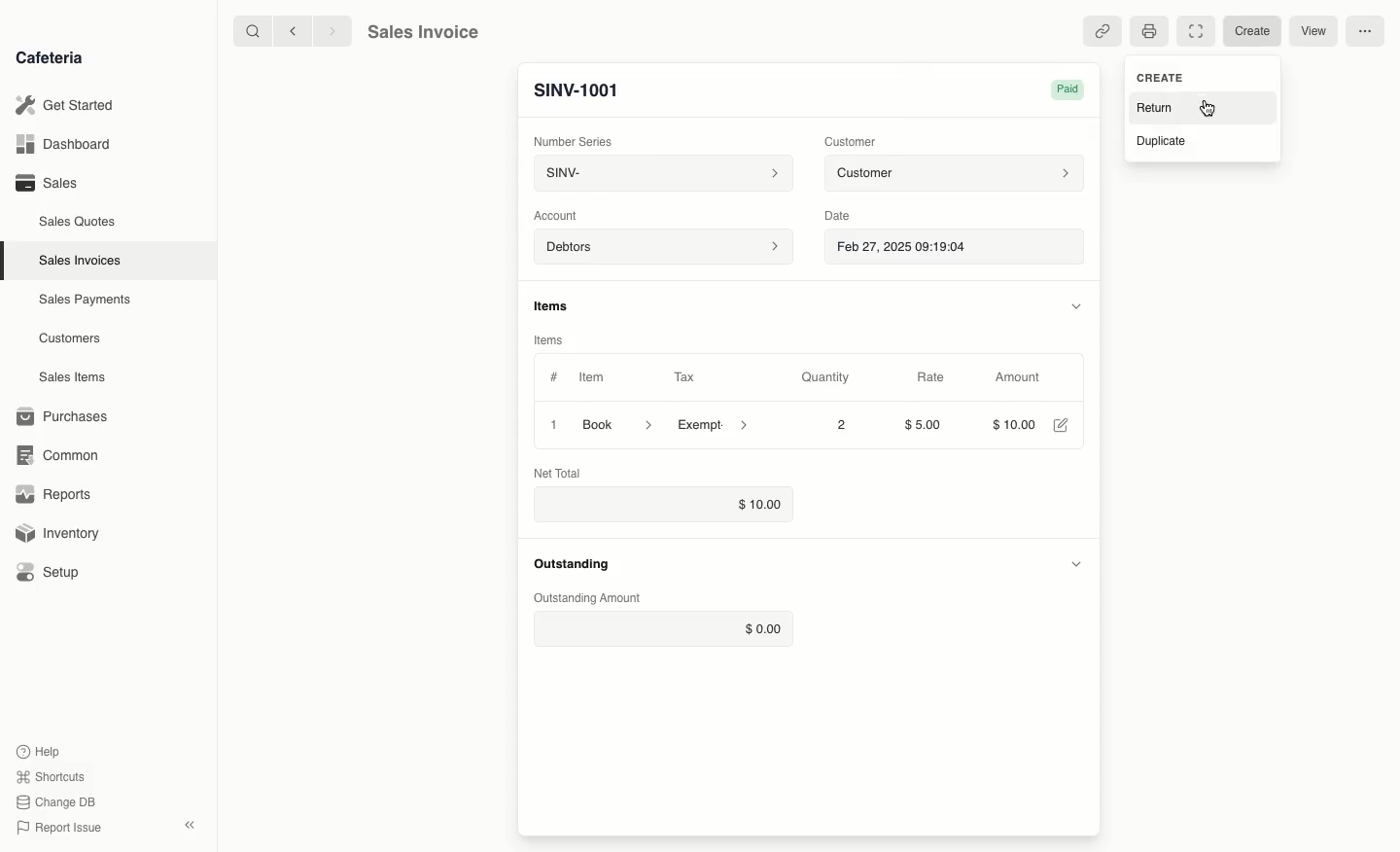 This screenshot has width=1400, height=852. I want to click on Net Total, so click(564, 473).